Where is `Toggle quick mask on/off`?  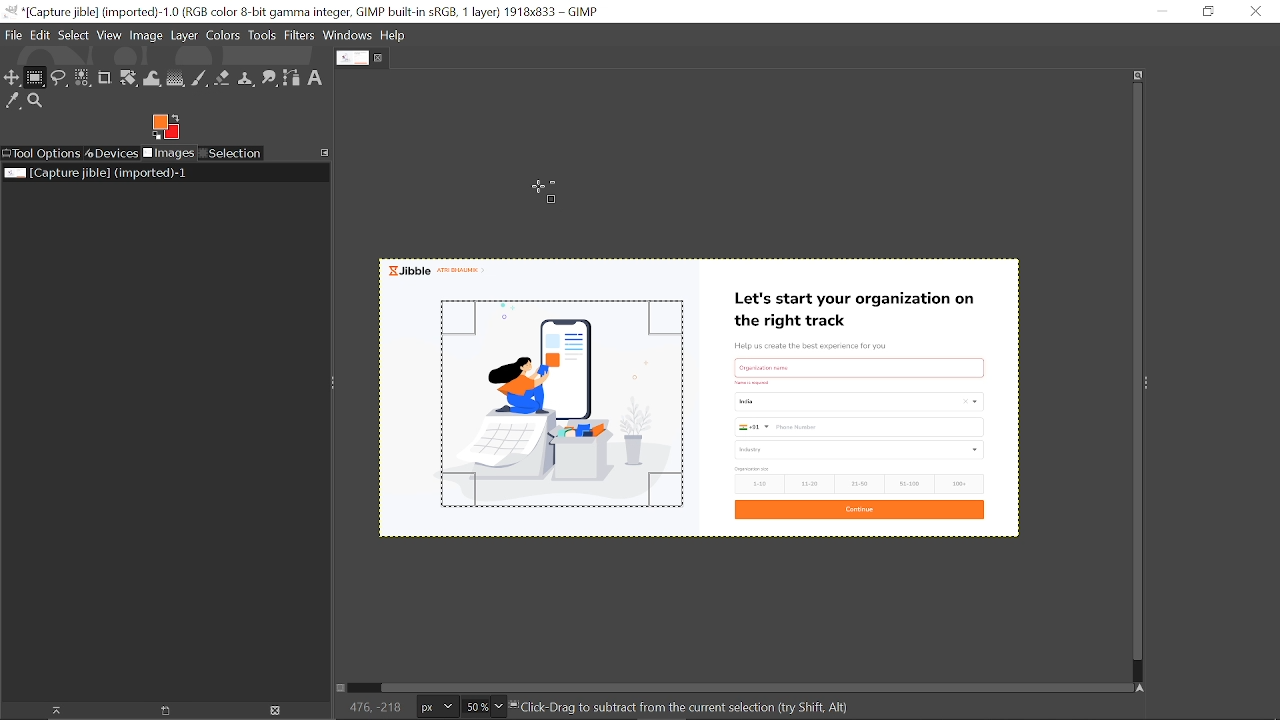
Toggle quick mask on/off is located at coordinates (344, 689).